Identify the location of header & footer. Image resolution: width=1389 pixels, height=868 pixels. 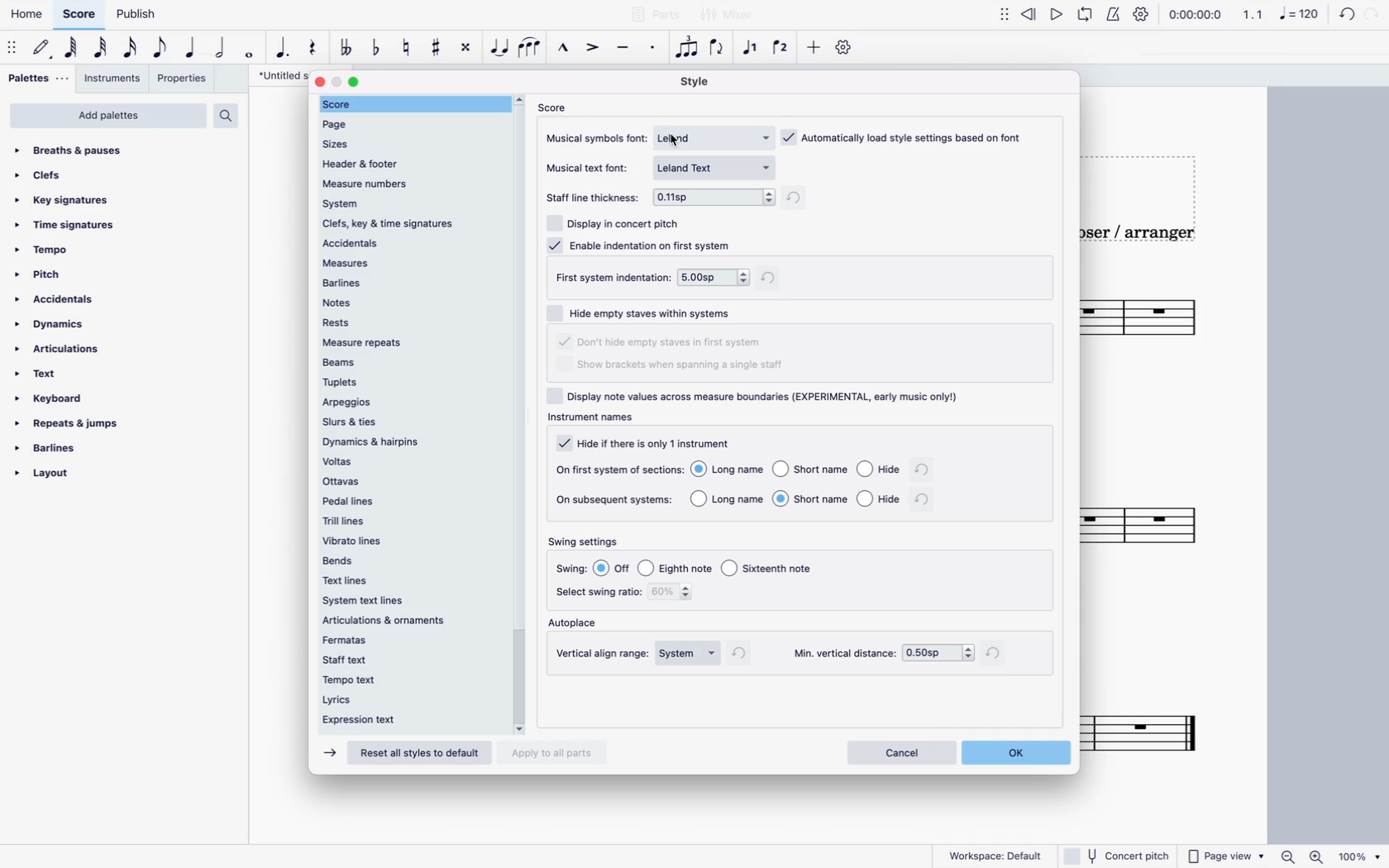
(411, 162).